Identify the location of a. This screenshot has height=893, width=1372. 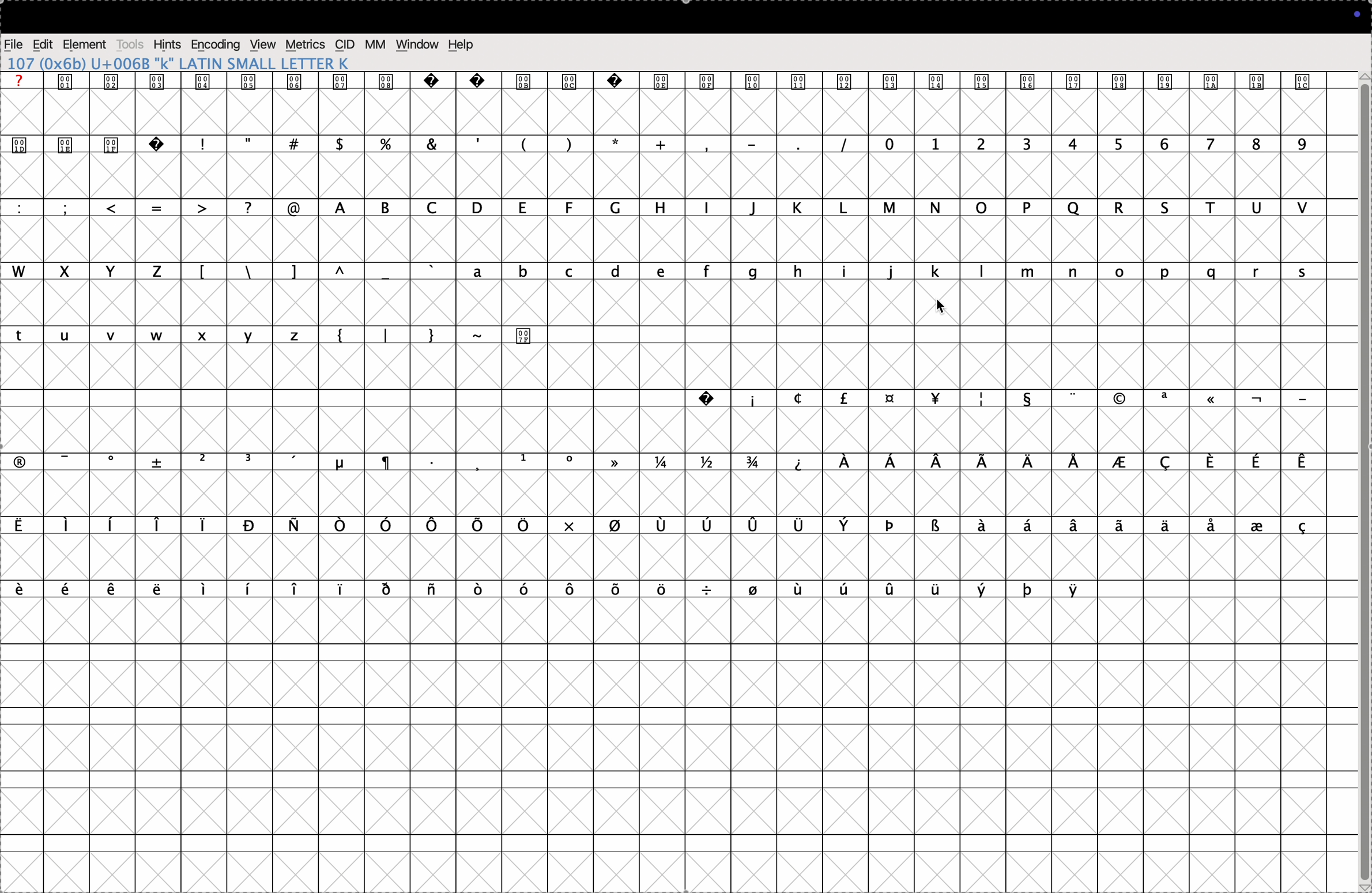
(333, 205).